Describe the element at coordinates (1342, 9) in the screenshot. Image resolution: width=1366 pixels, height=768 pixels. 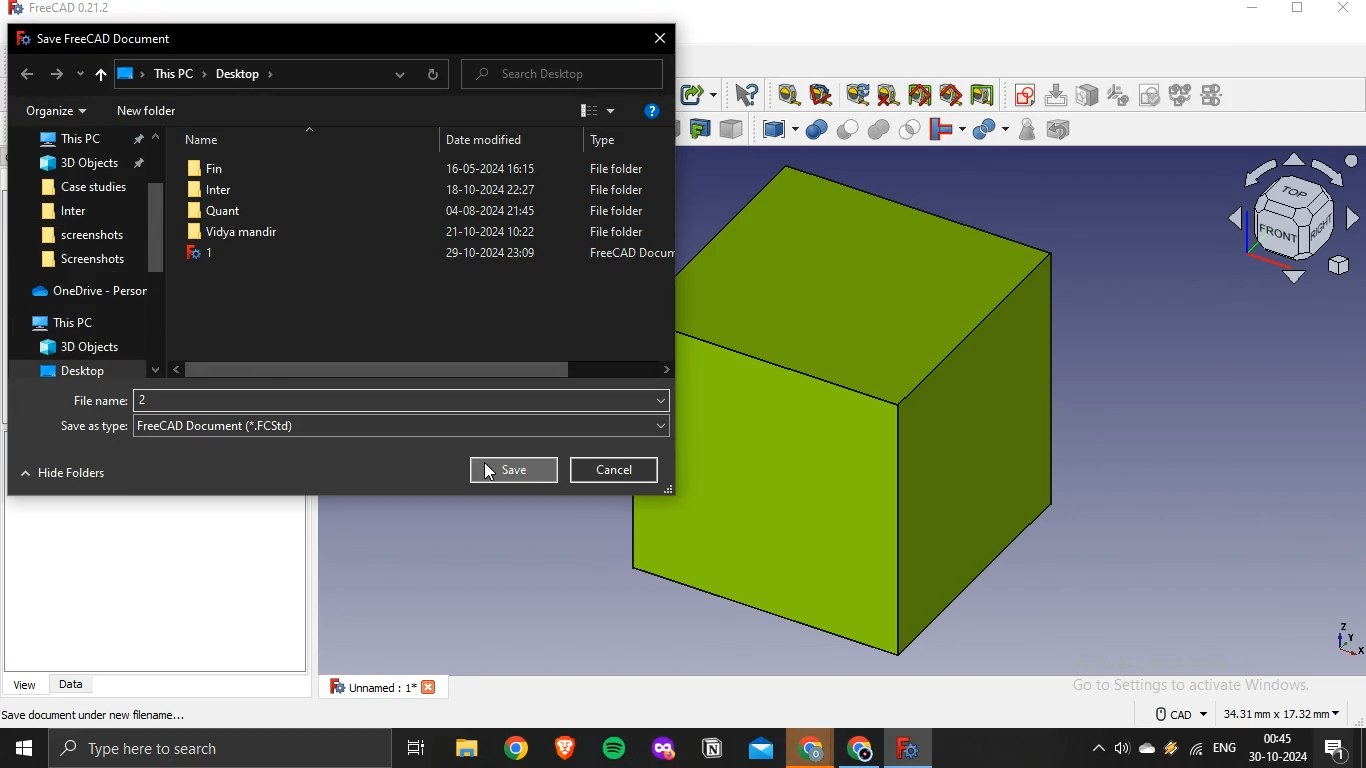
I see `close` at that location.